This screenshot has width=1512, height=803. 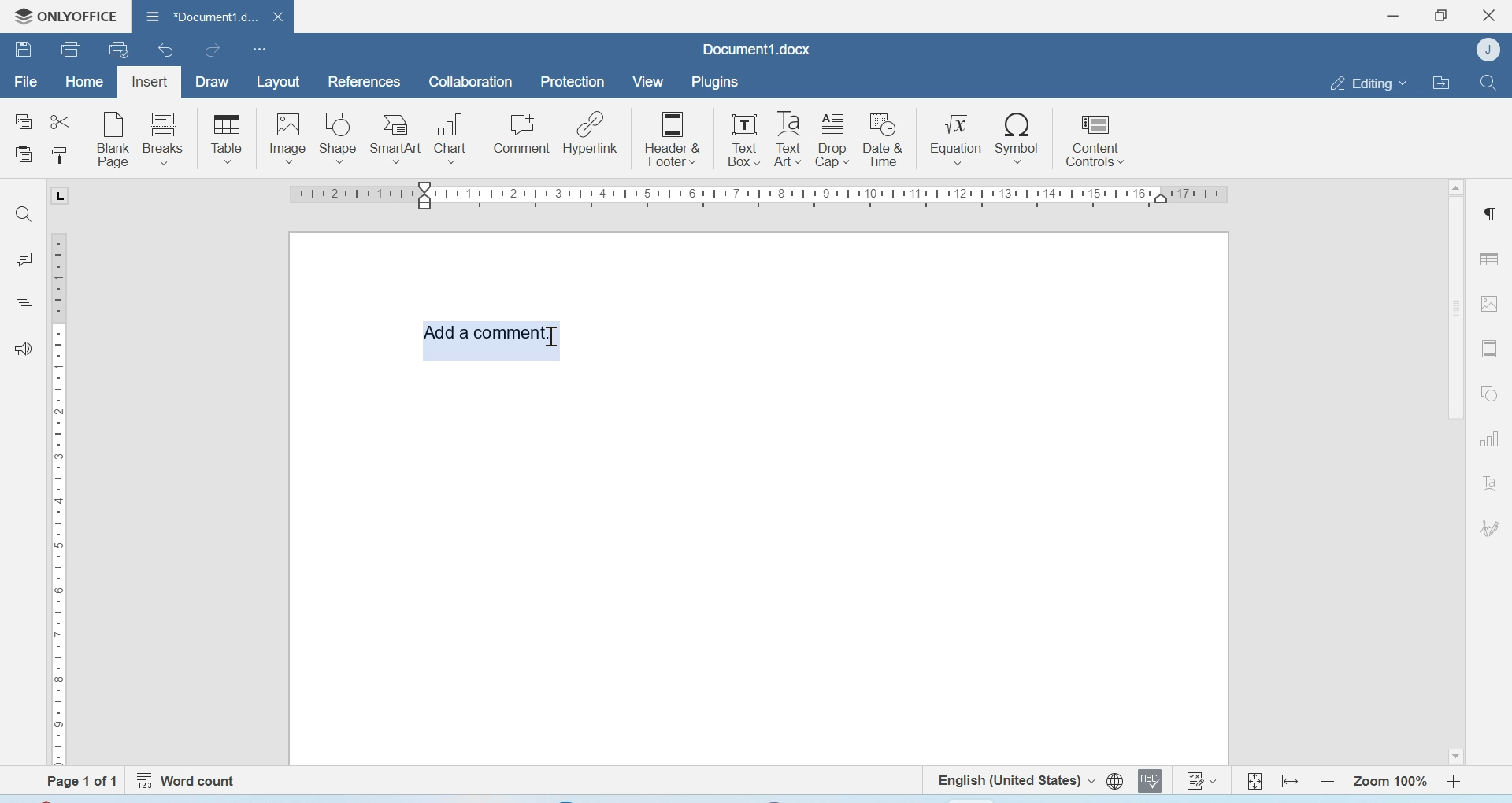 I want to click on Find, so click(x=1487, y=82).